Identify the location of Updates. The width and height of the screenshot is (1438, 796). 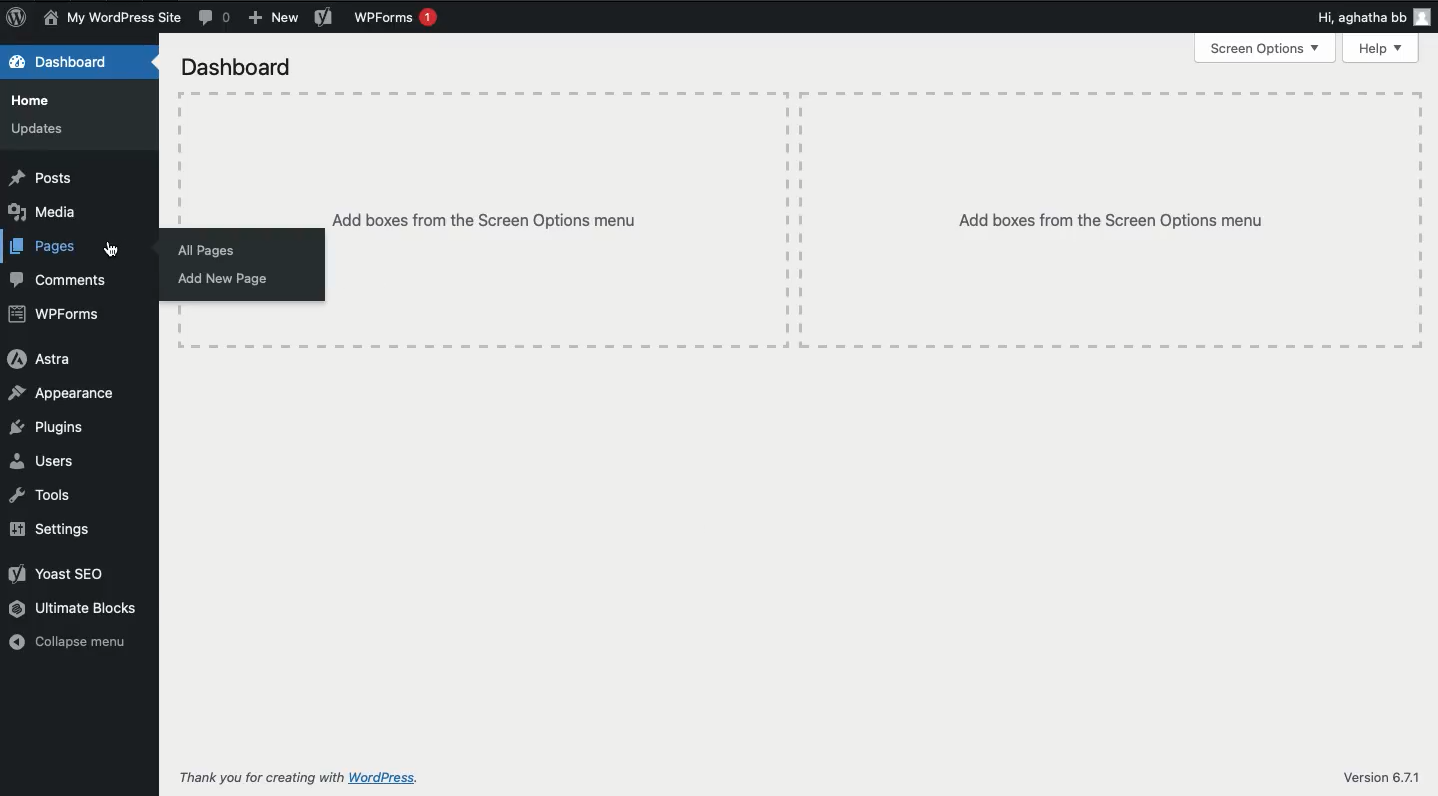
(39, 127).